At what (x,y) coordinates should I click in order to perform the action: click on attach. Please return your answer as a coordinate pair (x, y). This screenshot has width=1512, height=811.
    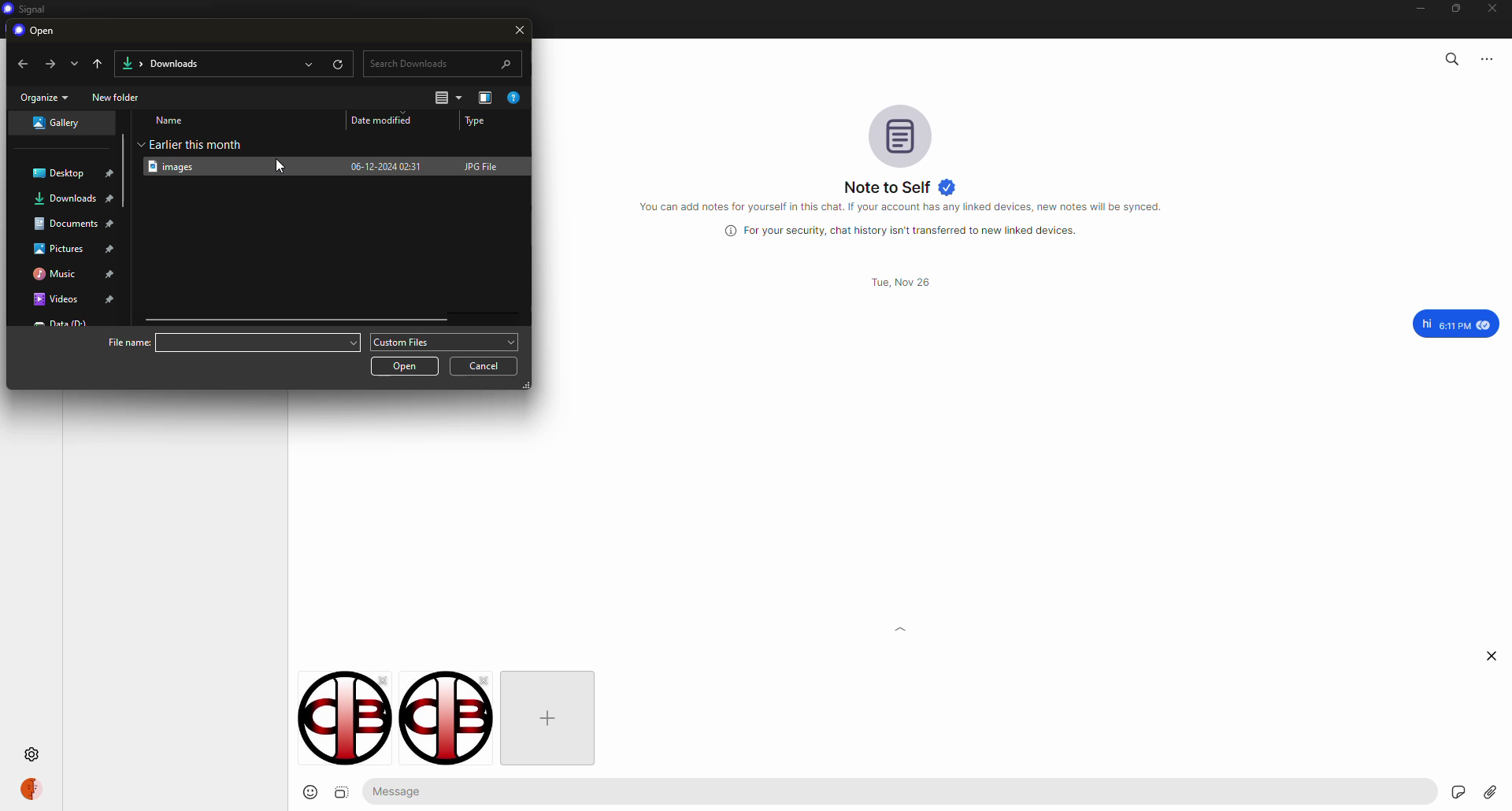
    Looking at the image, I should click on (1490, 792).